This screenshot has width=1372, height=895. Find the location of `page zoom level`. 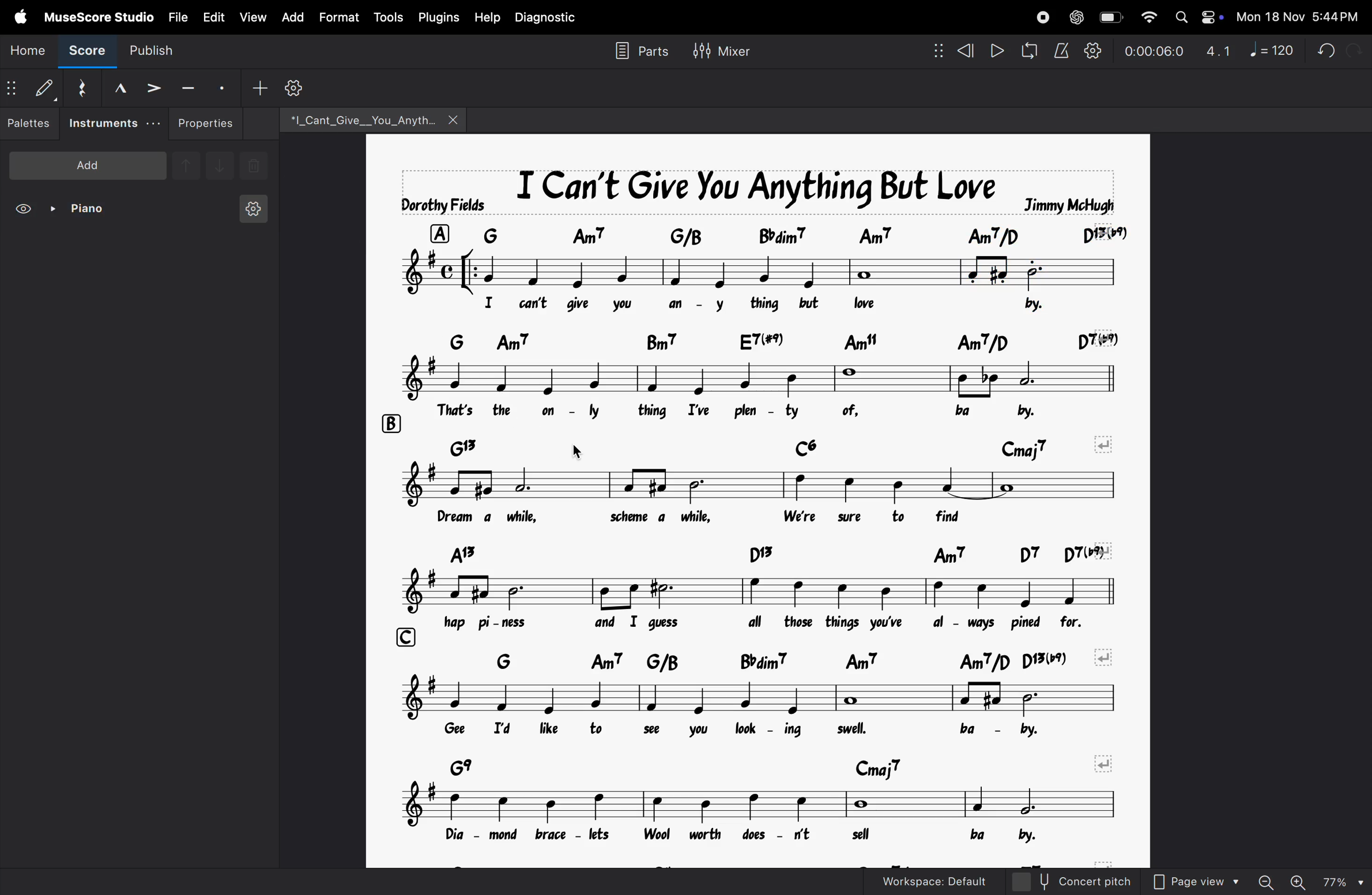

page zoom level is located at coordinates (1343, 881).